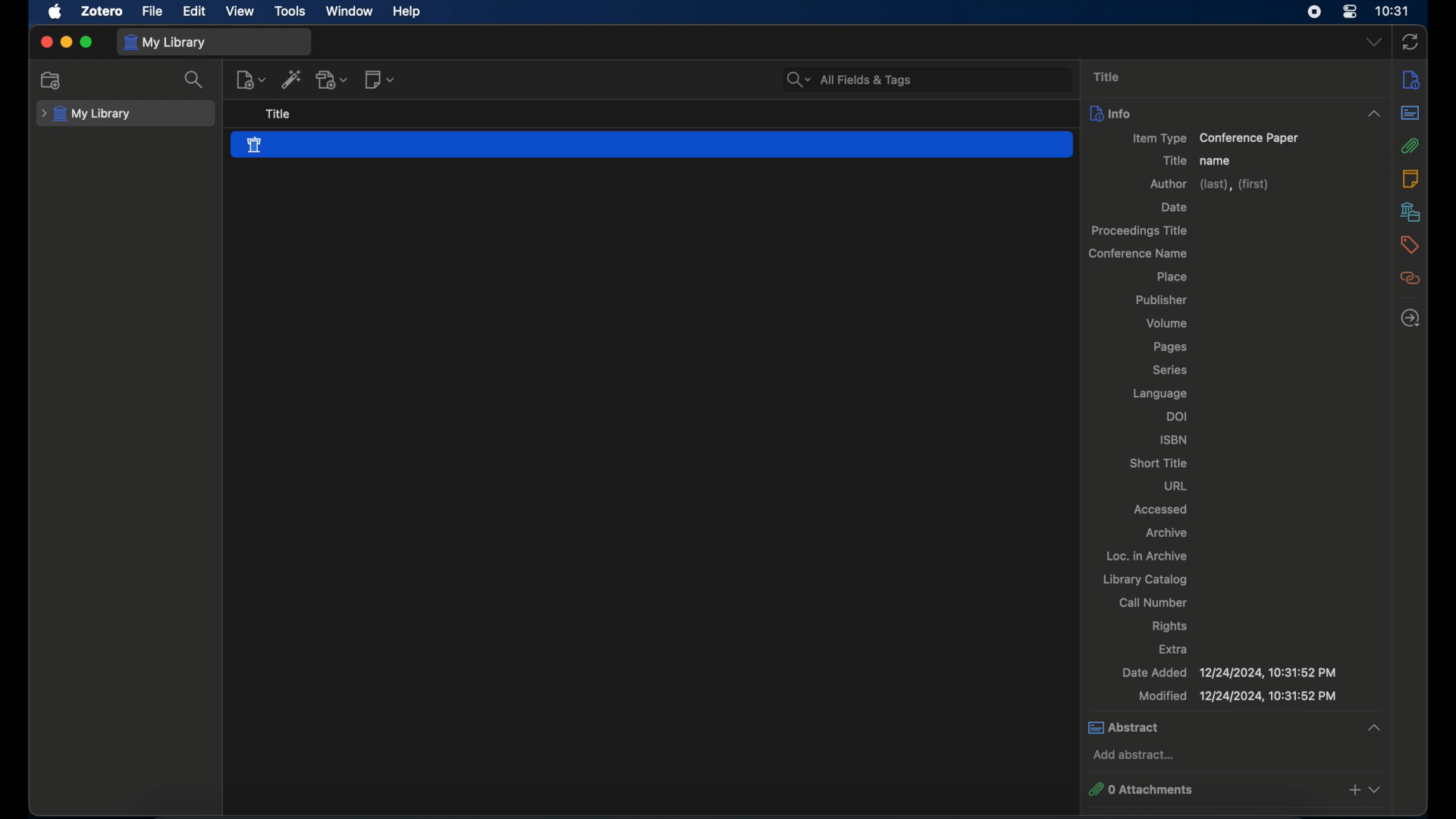 This screenshot has height=819, width=1456. What do you see at coordinates (1141, 231) in the screenshot?
I see `proceedings title` at bounding box center [1141, 231].